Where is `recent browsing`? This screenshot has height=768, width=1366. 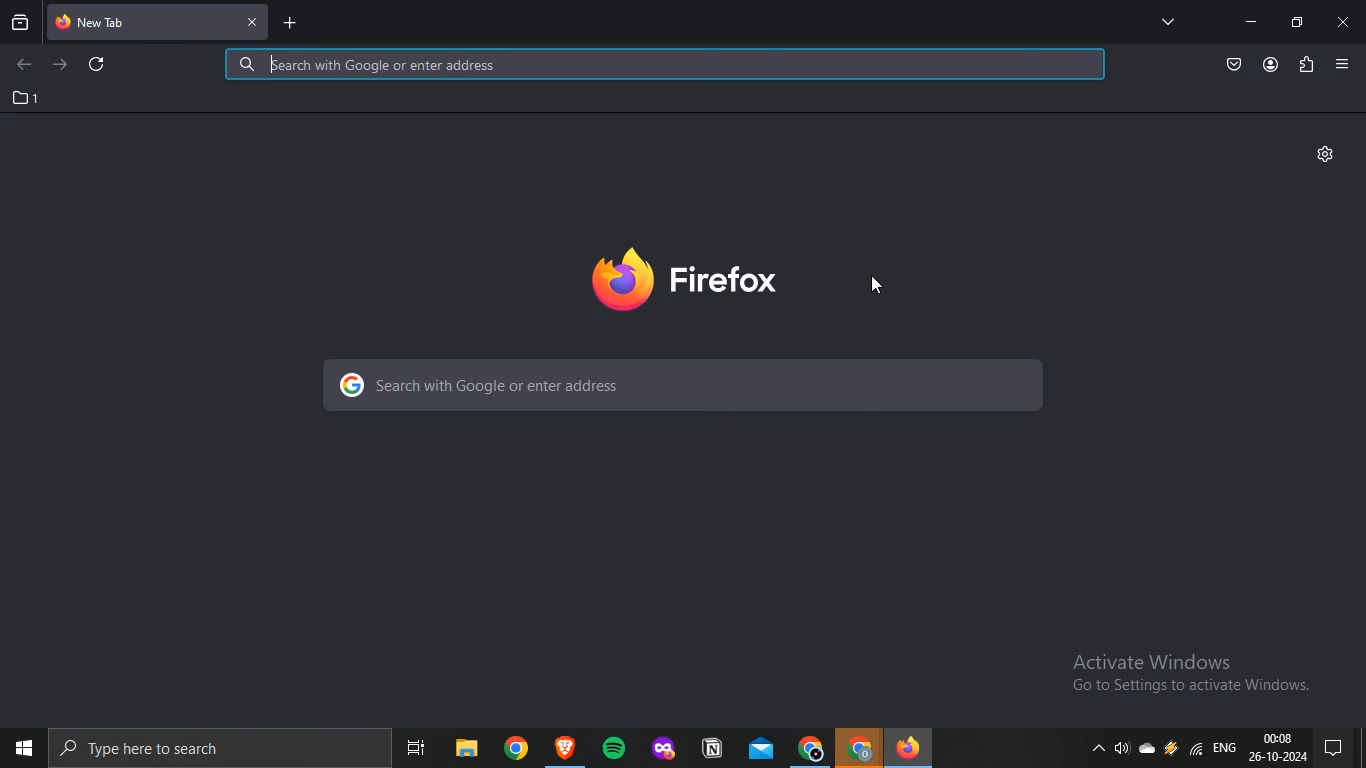 recent browsing is located at coordinates (19, 25).